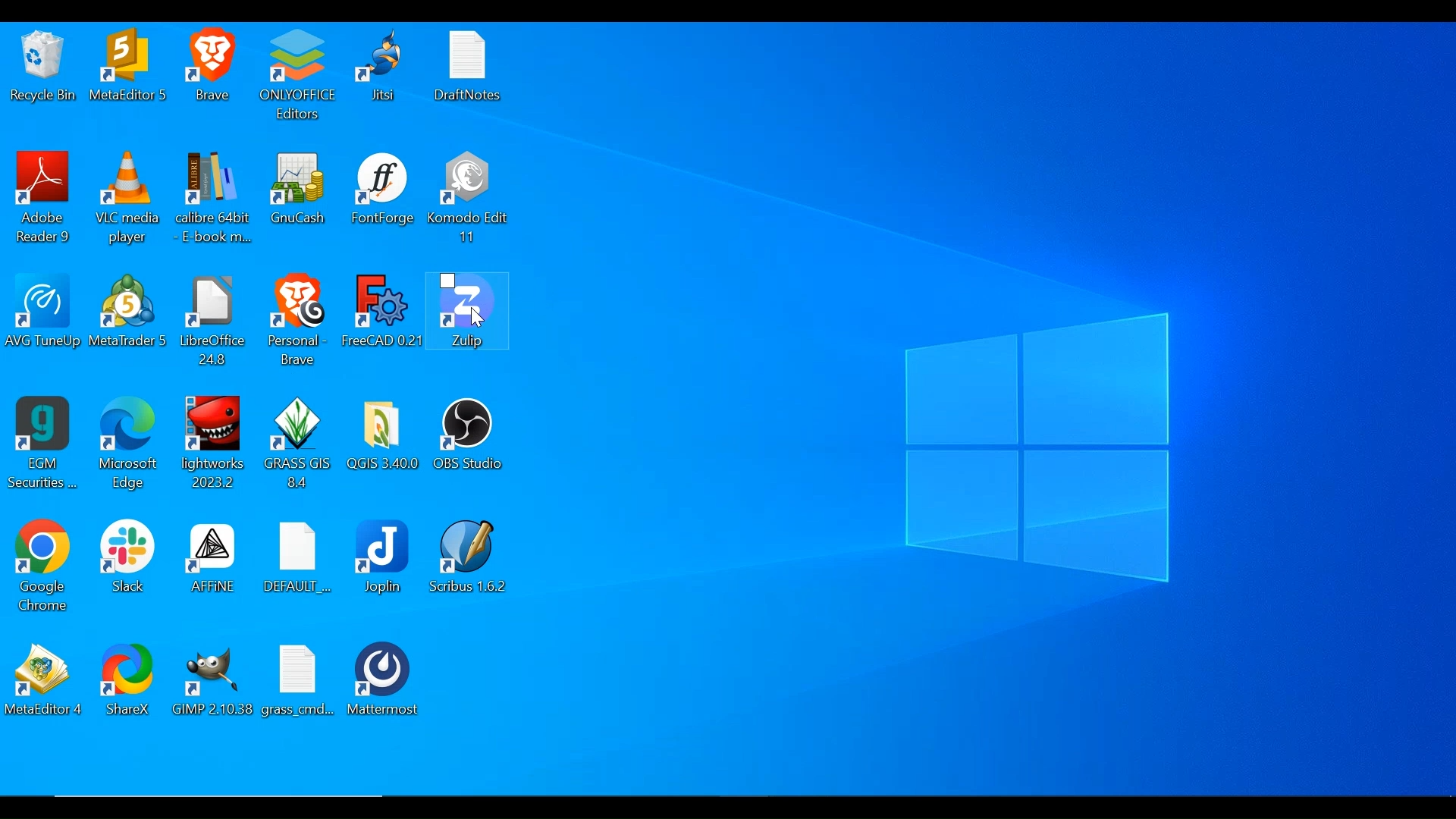  Describe the element at coordinates (46, 441) in the screenshot. I see `EGM Securities Desktop Icon` at that location.